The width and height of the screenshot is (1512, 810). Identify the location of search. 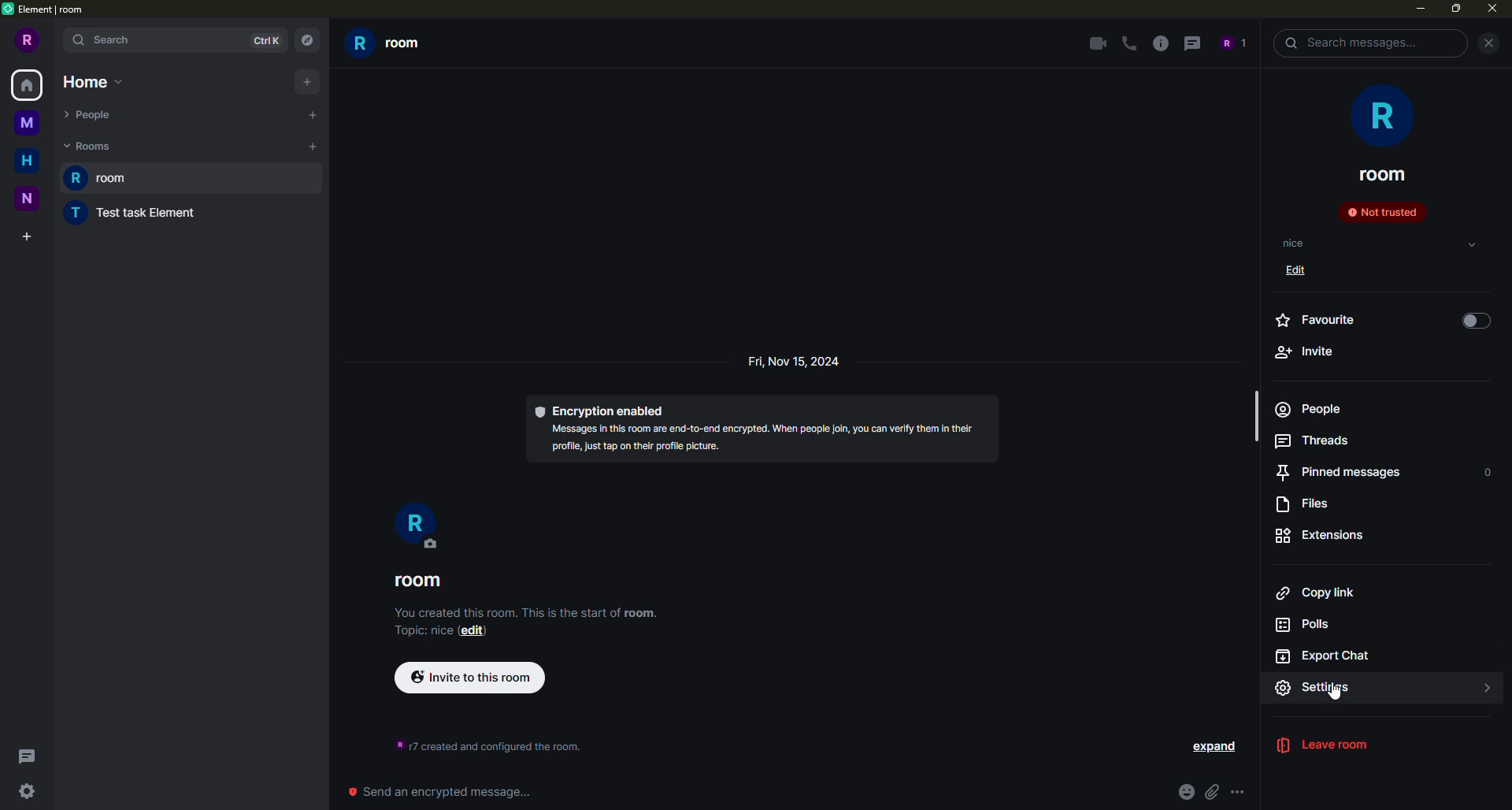
(1351, 43).